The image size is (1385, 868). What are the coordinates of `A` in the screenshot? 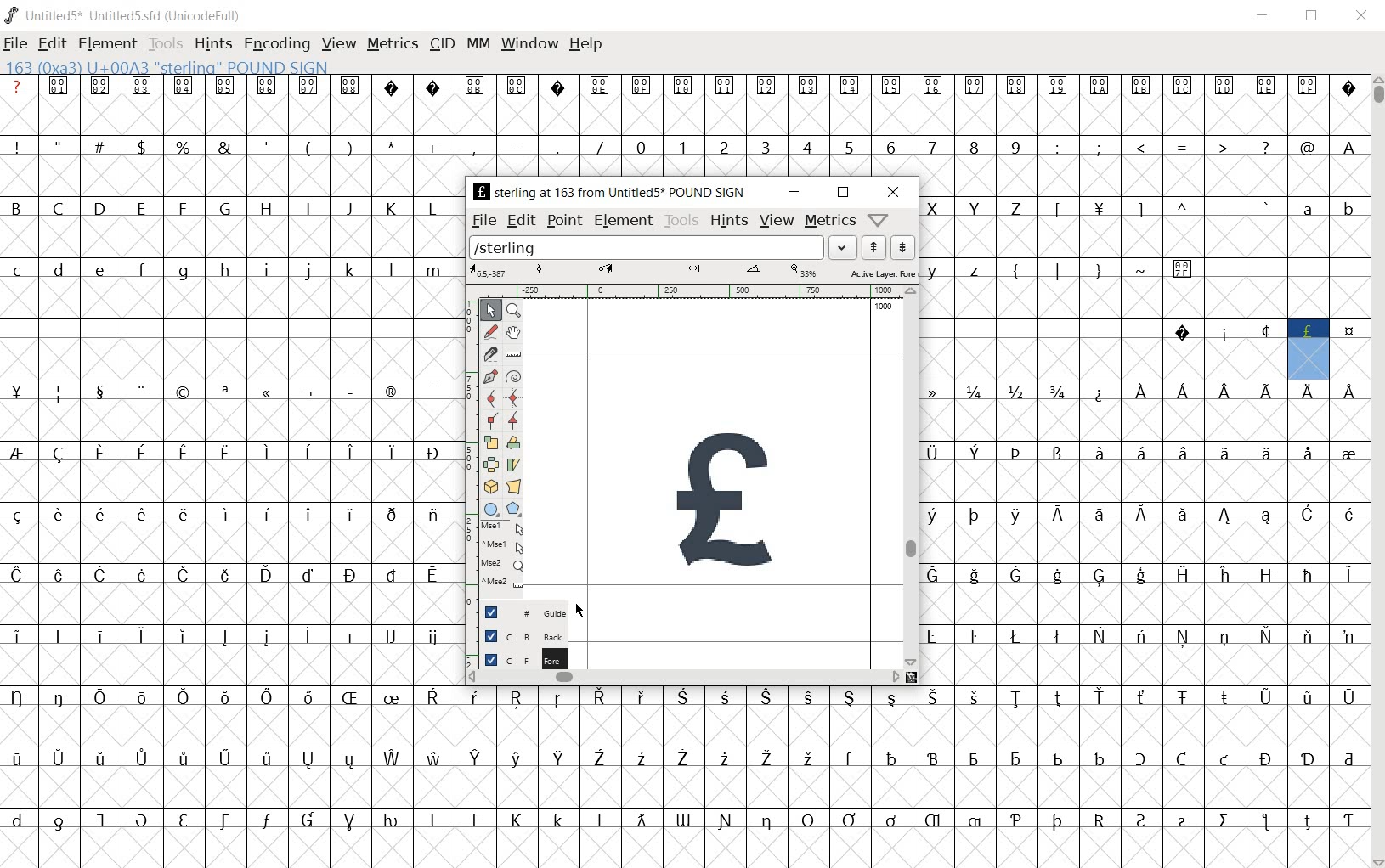 It's located at (1347, 146).